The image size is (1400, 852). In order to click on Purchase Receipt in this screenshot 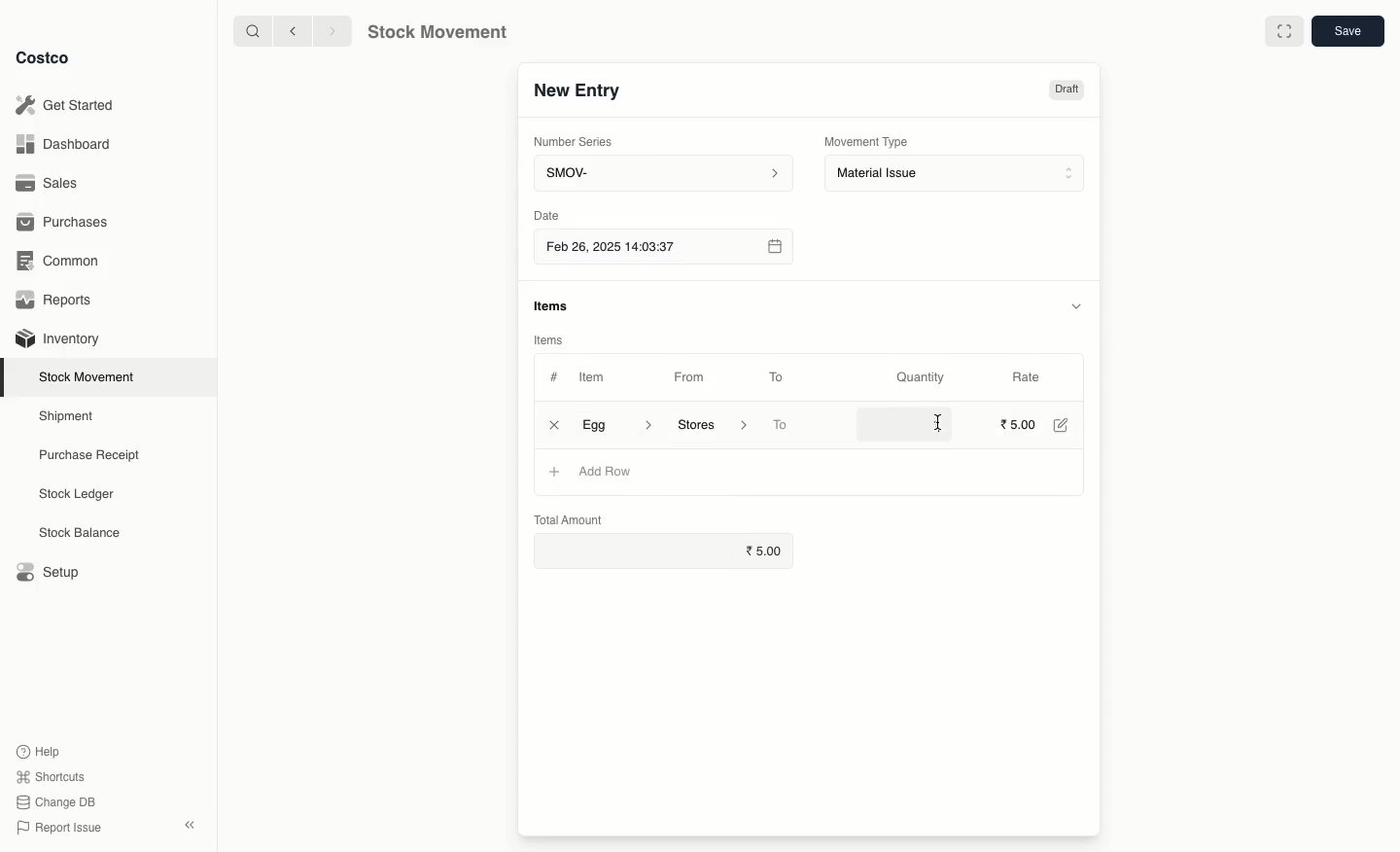, I will do `click(94, 454)`.